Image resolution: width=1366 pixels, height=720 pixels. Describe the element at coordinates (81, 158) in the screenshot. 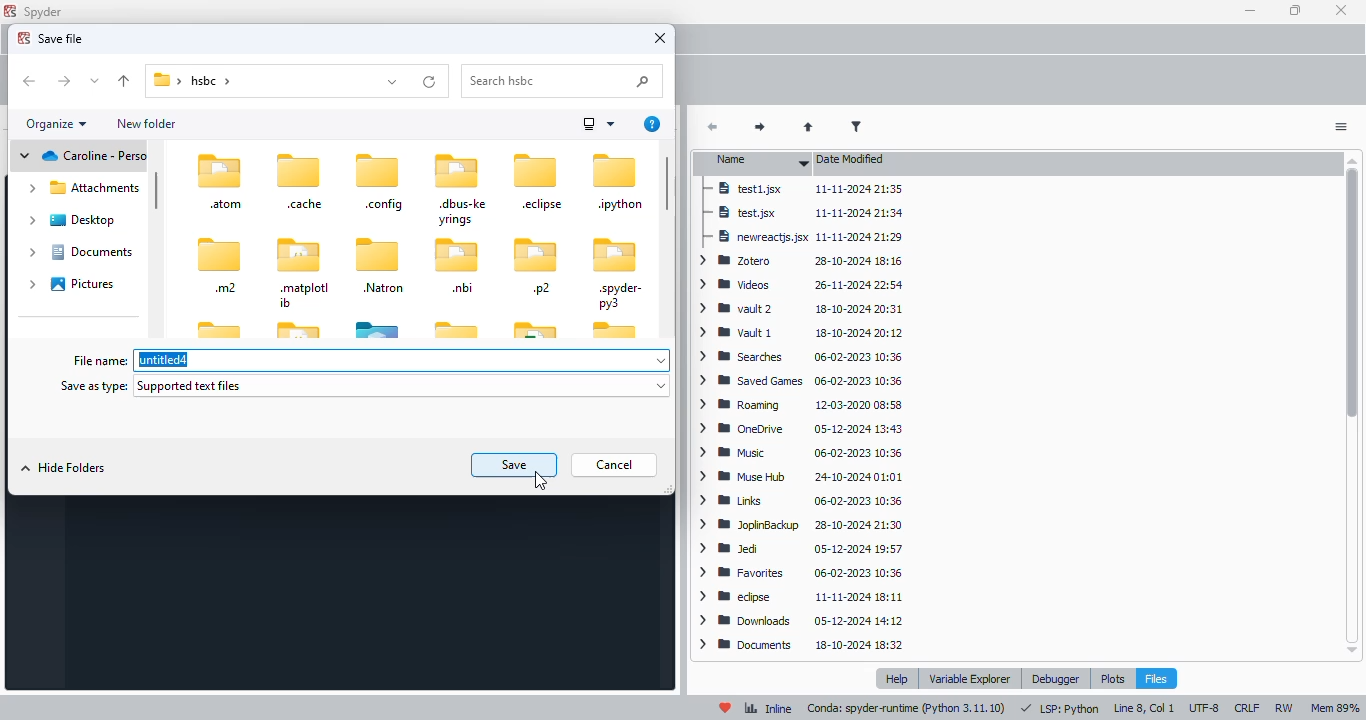

I see `Personal drive` at that location.